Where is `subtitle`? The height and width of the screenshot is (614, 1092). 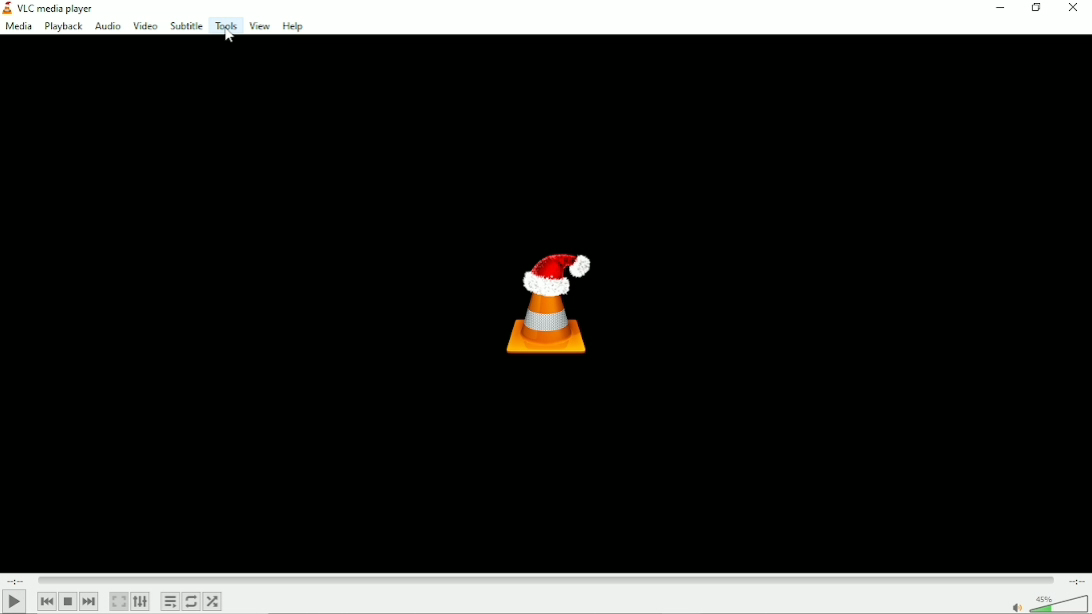
subtitle is located at coordinates (186, 25).